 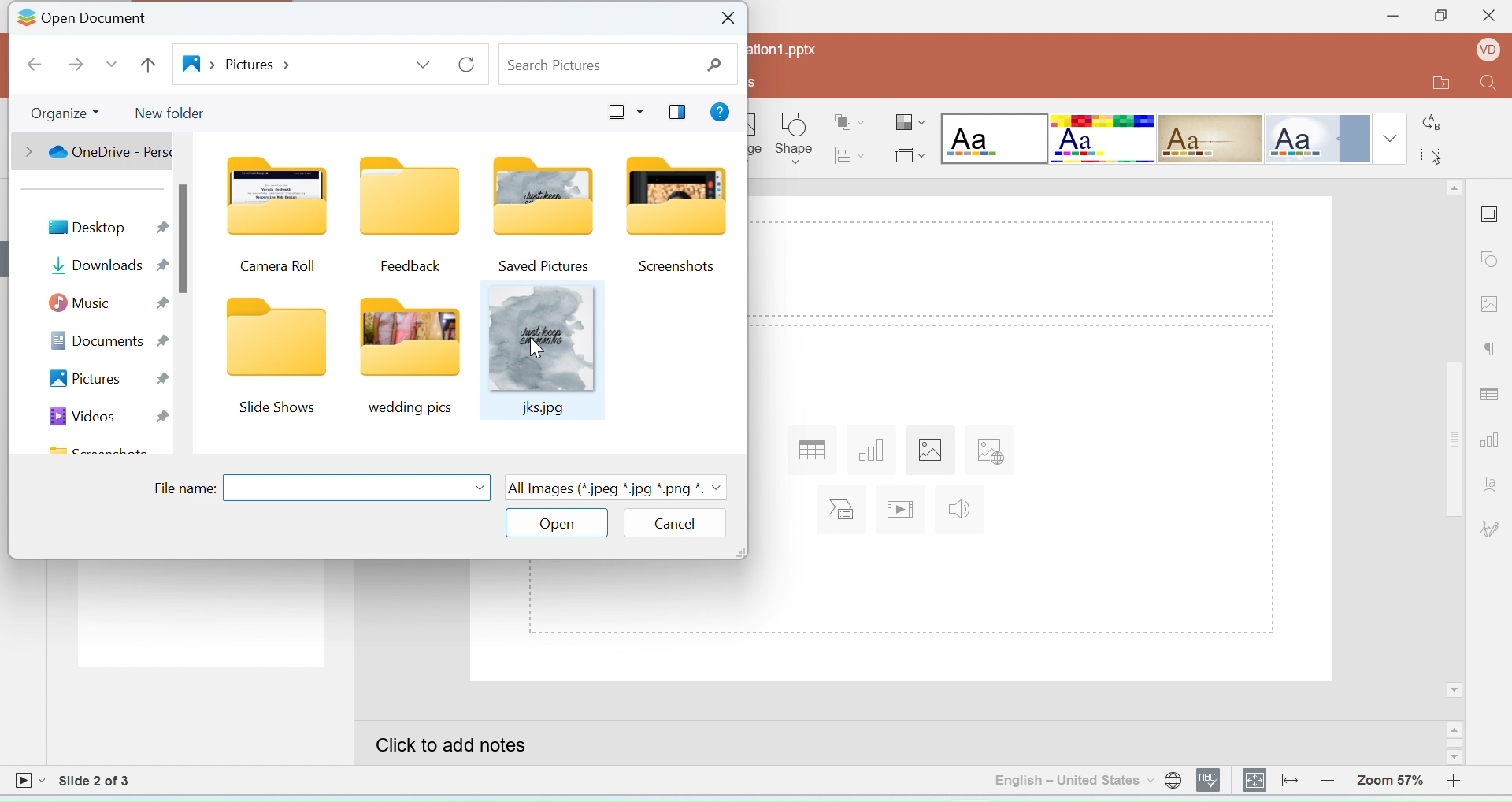 I want to click on Select slide size, so click(x=909, y=153).